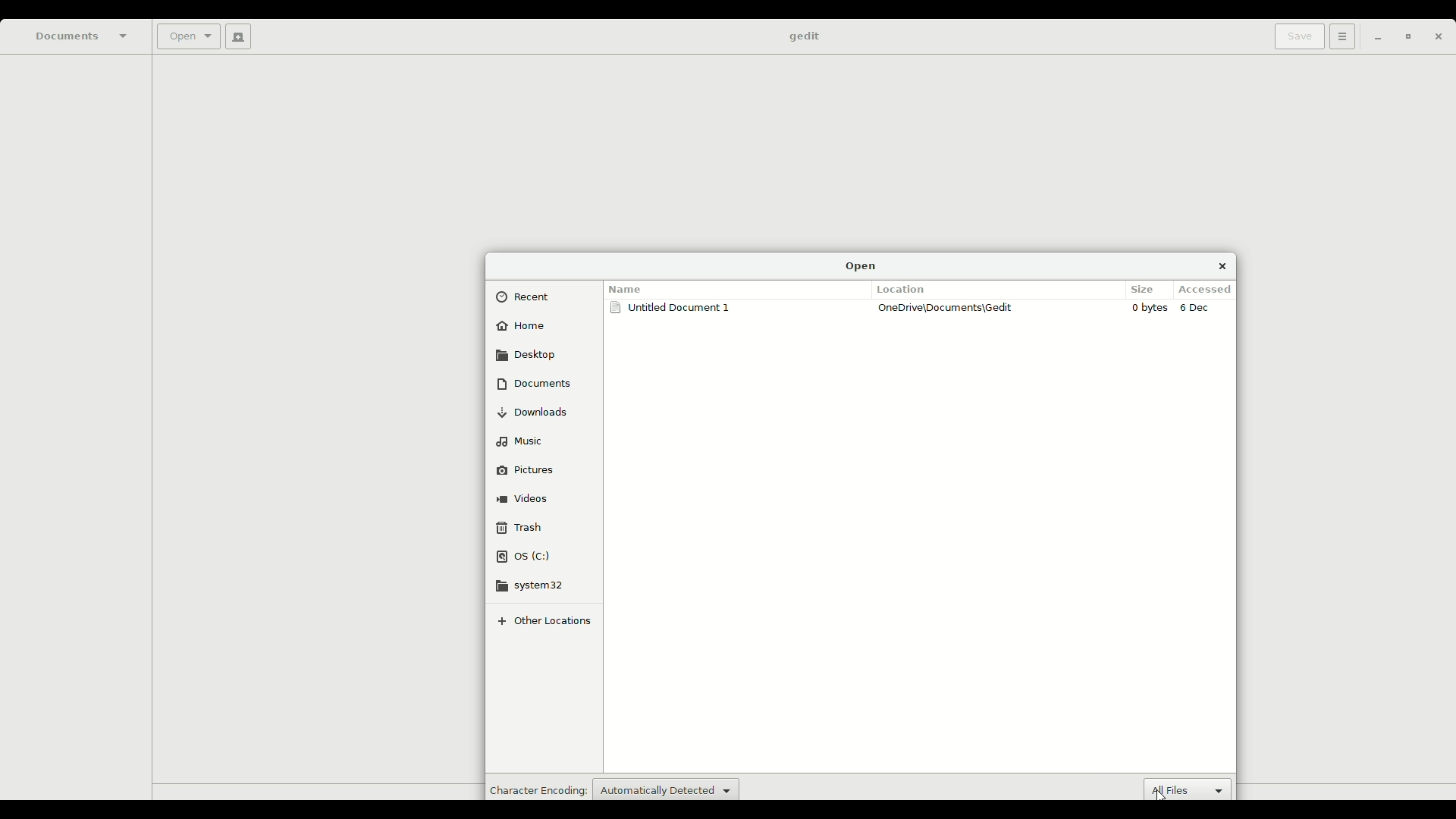  What do you see at coordinates (526, 496) in the screenshot?
I see `Videos` at bounding box center [526, 496].